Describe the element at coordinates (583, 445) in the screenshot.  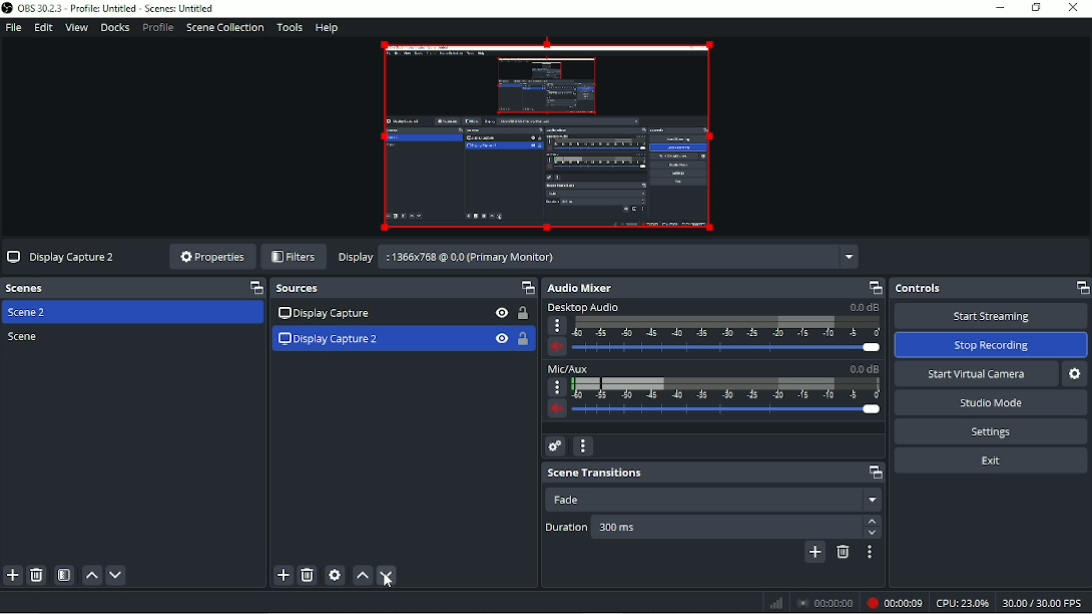
I see `Audio mixer menu` at that location.